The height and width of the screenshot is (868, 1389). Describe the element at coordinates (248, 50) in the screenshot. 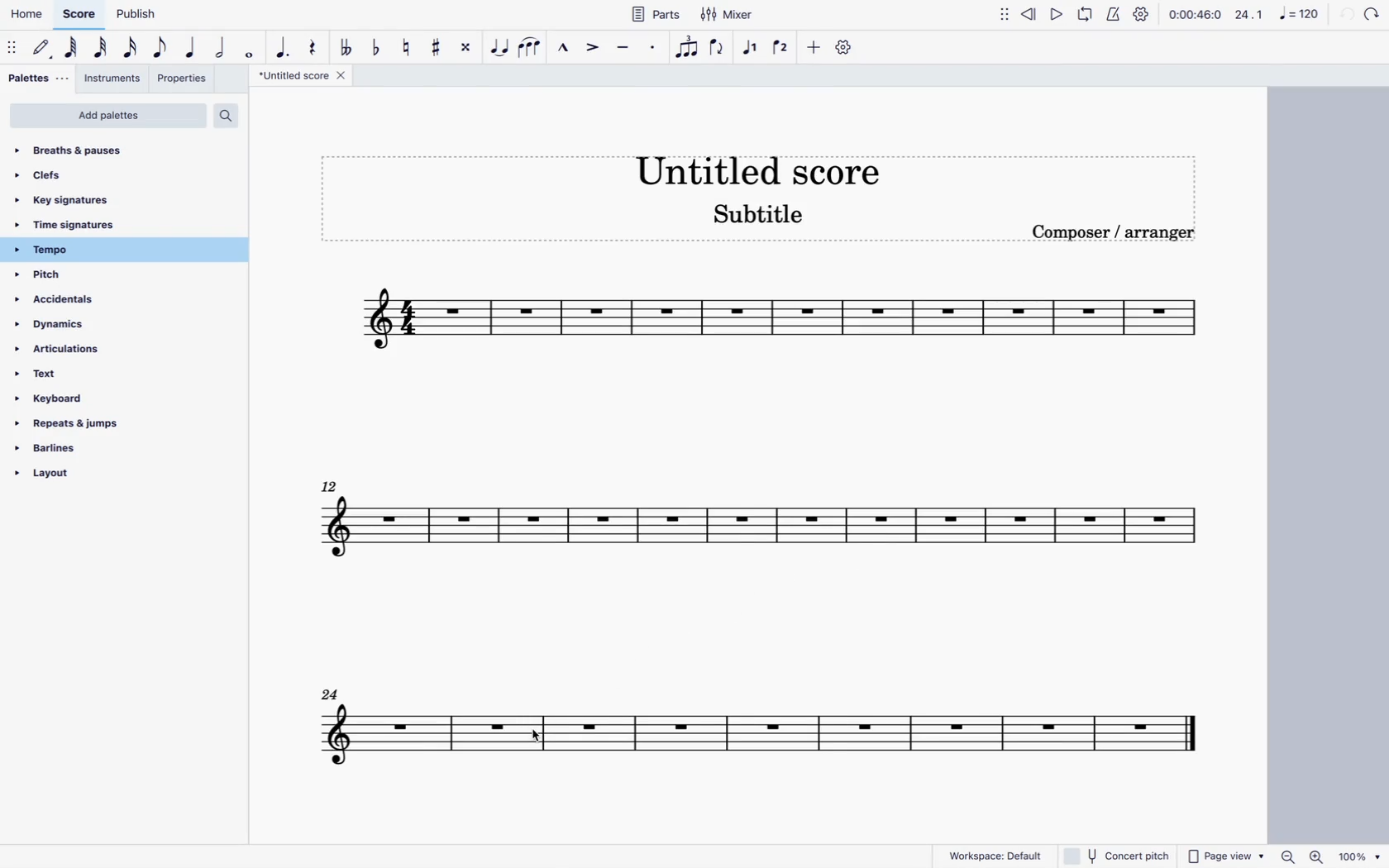

I see `whole note` at that location.